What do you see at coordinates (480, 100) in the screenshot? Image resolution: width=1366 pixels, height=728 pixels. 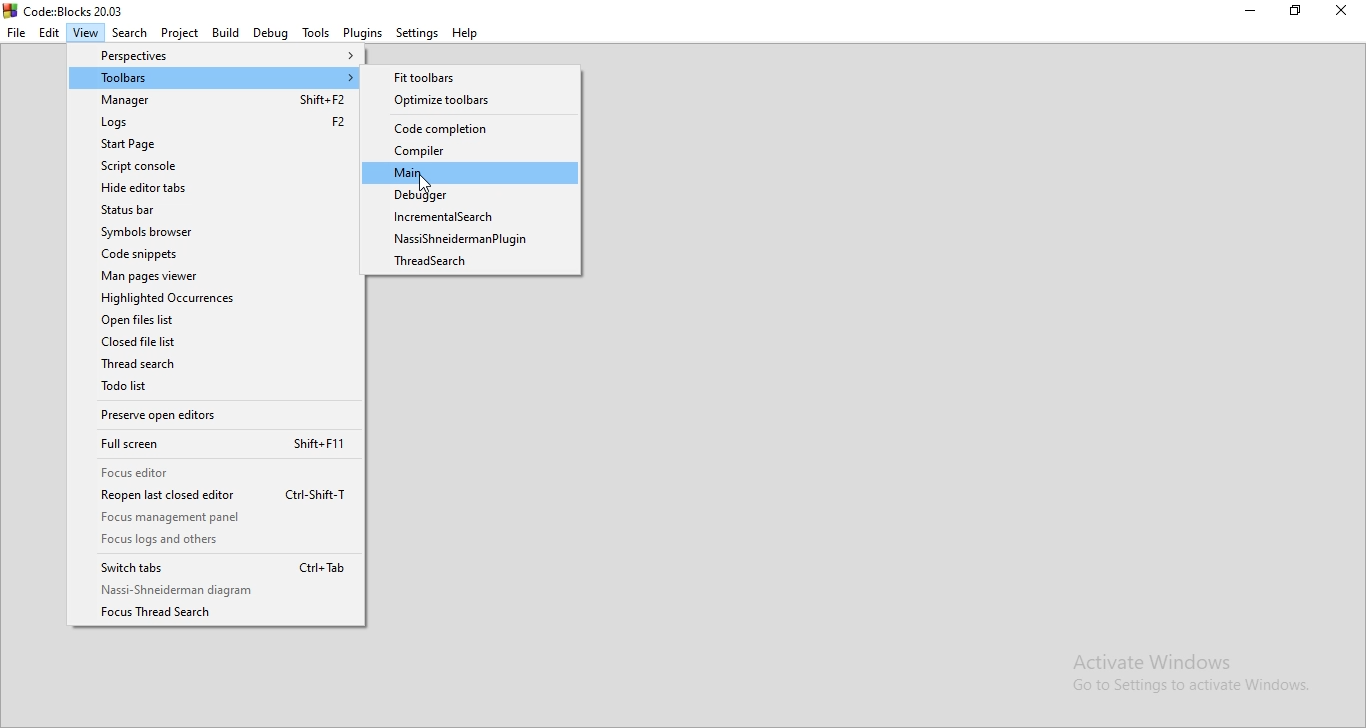 I see `Optimize toolbars` at bounding box center [480, 100].